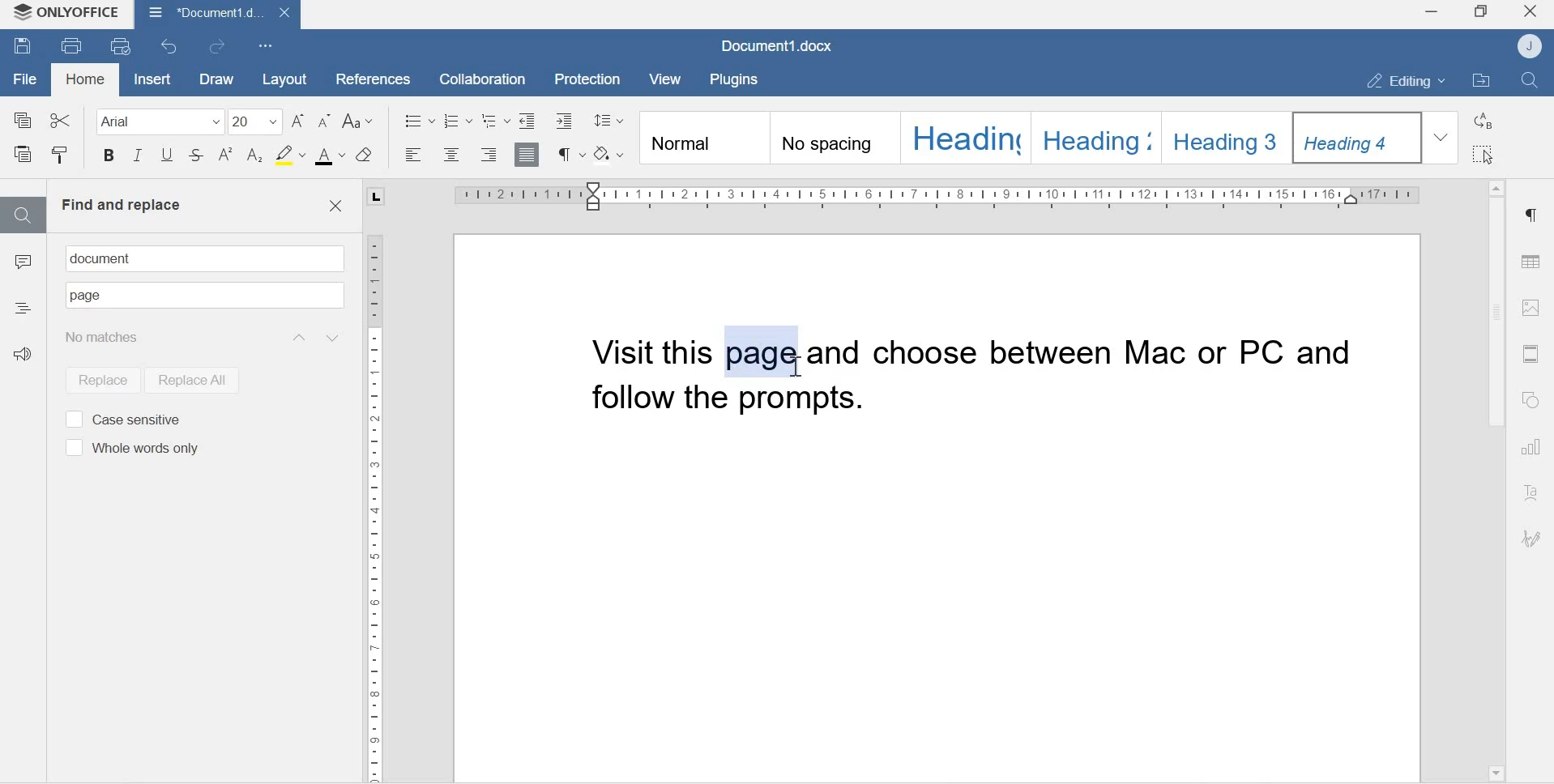 The height and width of the screenshot is (784, 1554). I want to click on Align center, so click(450, 156).